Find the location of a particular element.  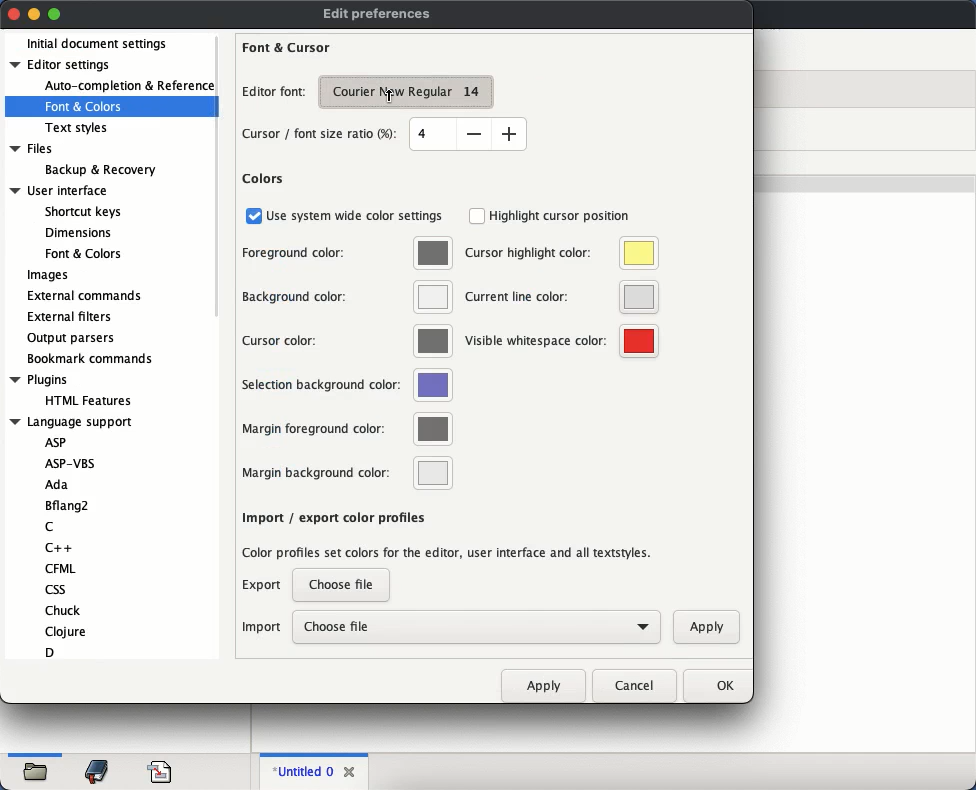

backup & recovery is located at coordinates (100, 170).